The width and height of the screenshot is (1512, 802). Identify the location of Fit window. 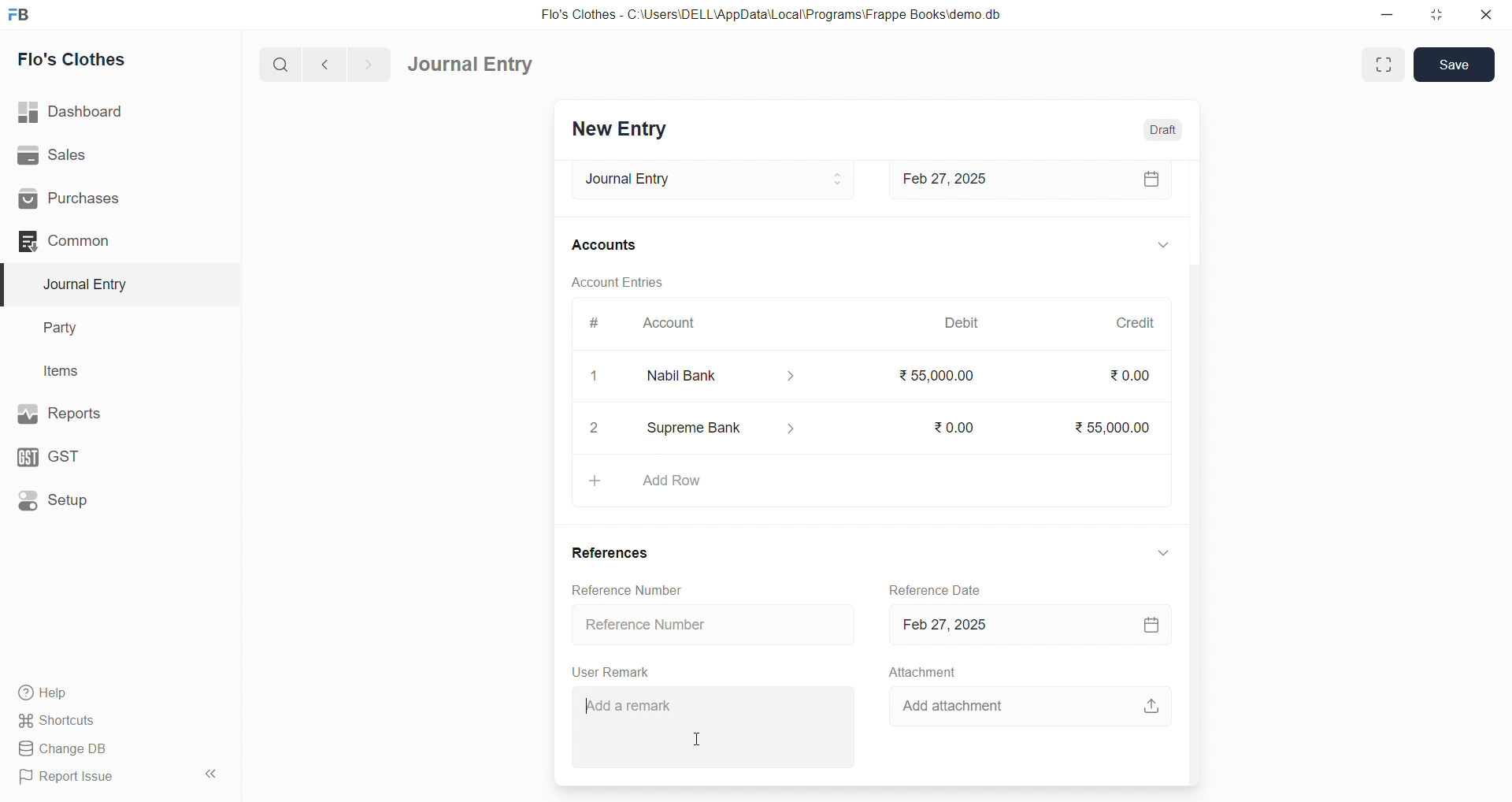
(1381, 65).